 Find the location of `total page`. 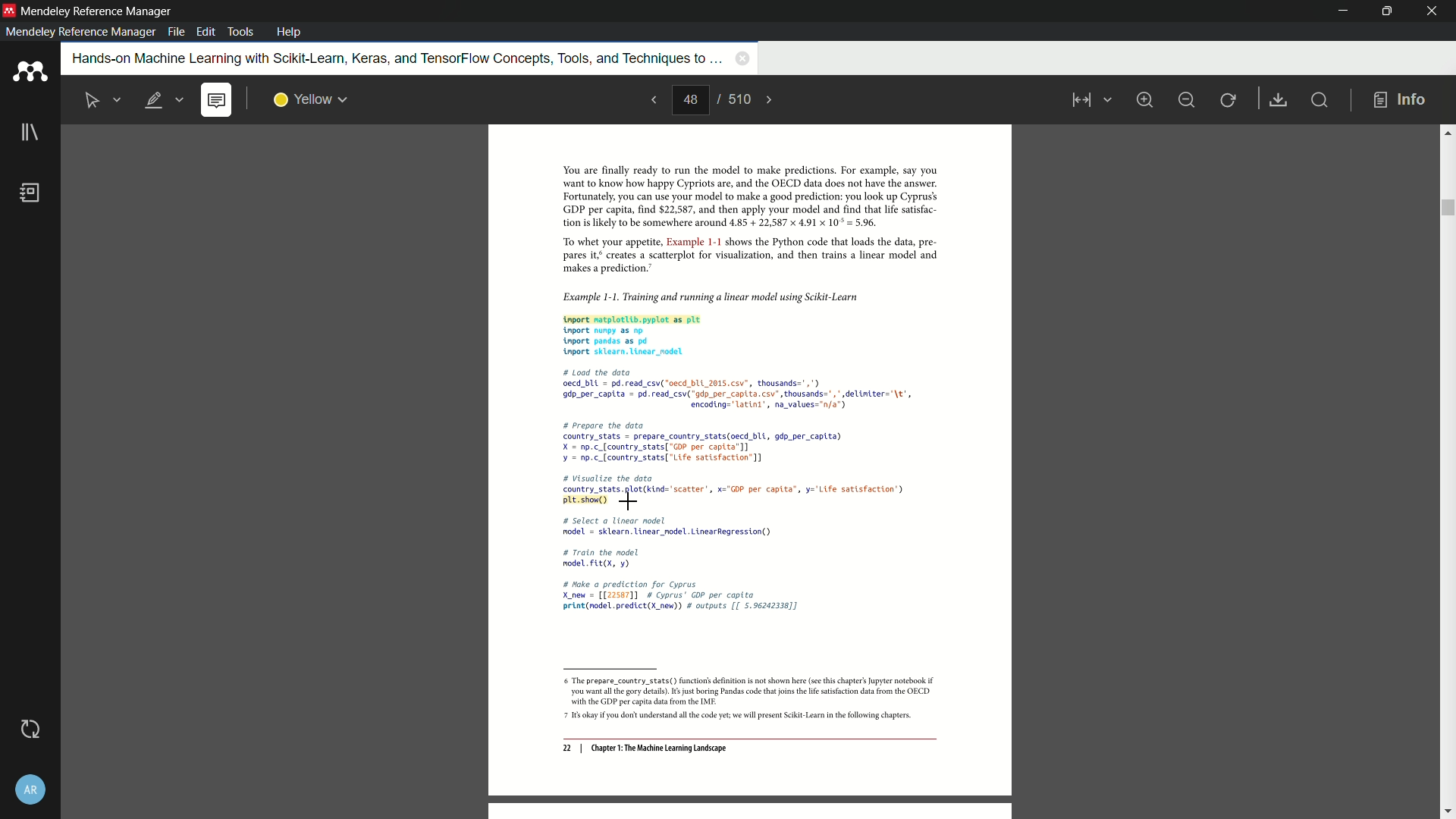

total page is located at coordinates (738, 99).